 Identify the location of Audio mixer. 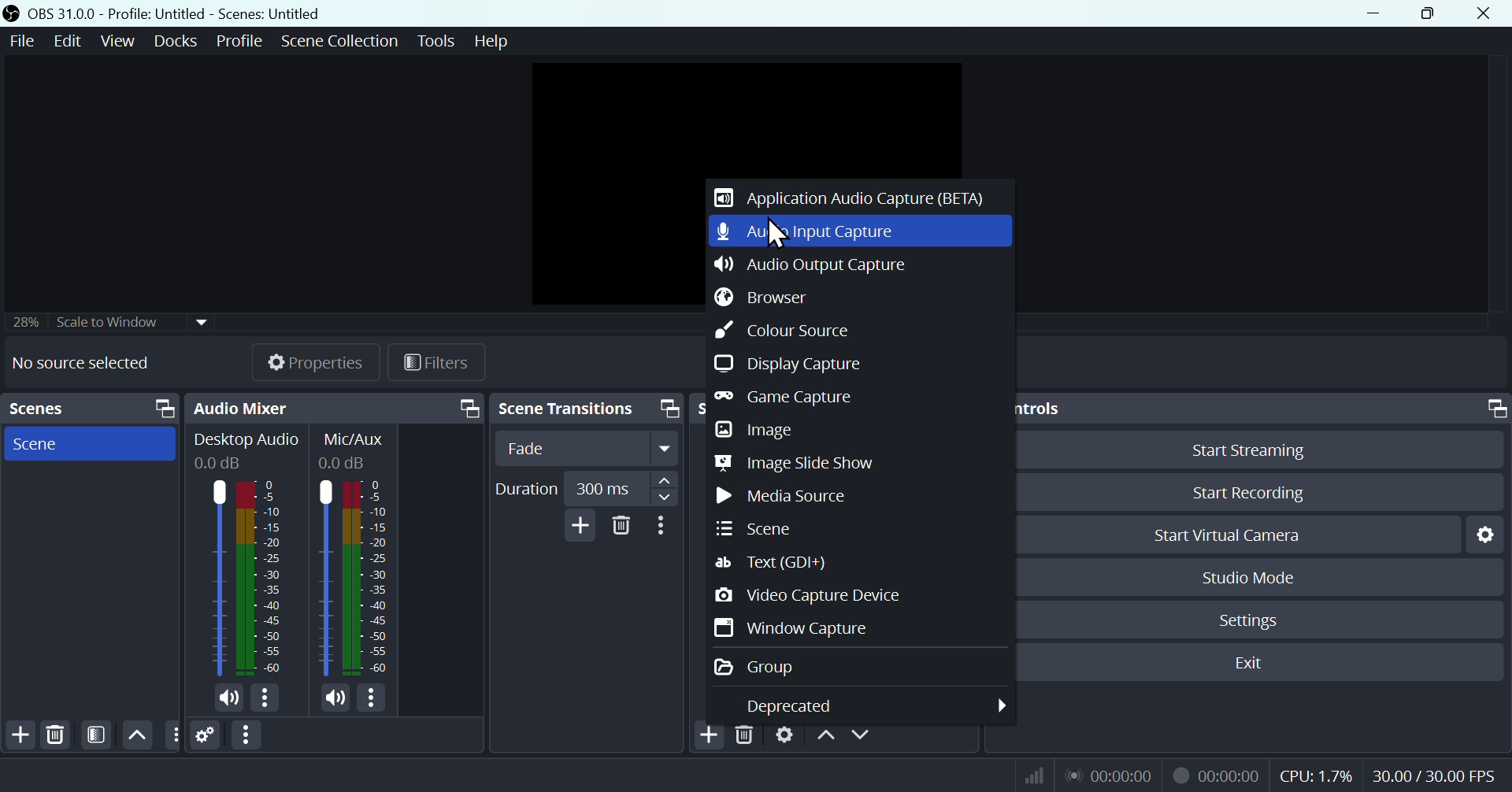
(332, 409).